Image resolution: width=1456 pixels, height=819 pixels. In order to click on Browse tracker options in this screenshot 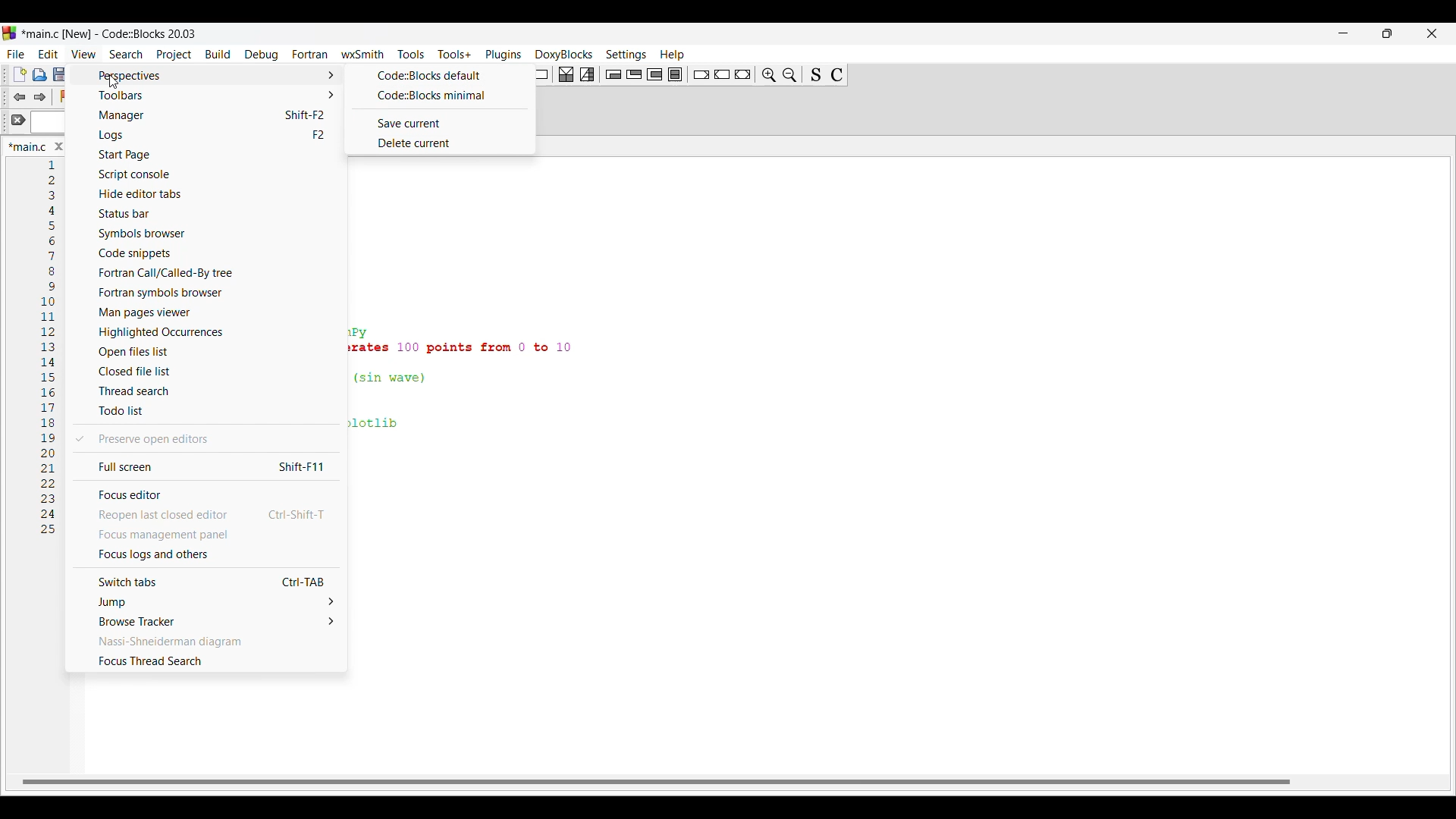, I will do `click(206, 621)`.